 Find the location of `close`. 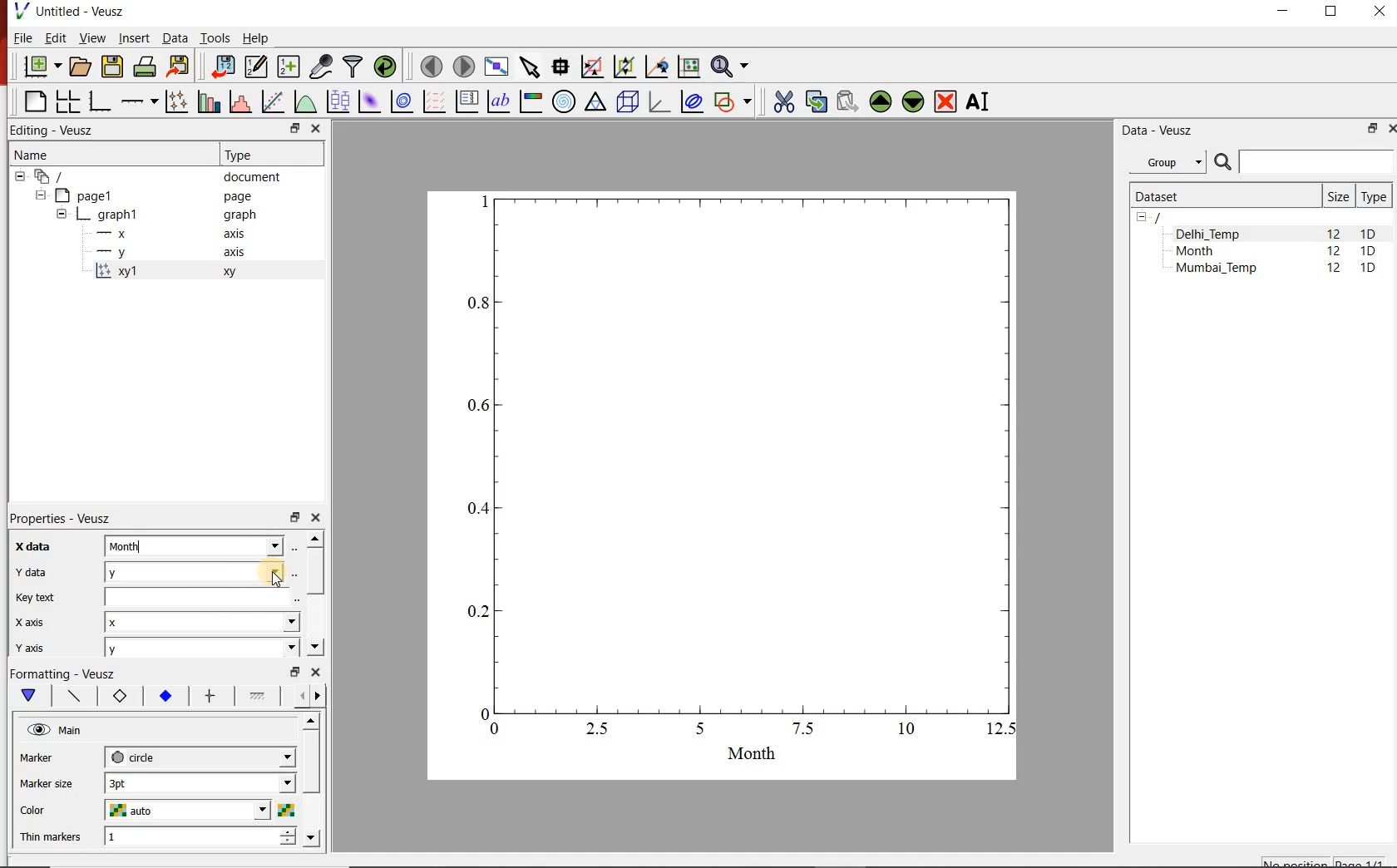

close is located at coordinates (314, 518).